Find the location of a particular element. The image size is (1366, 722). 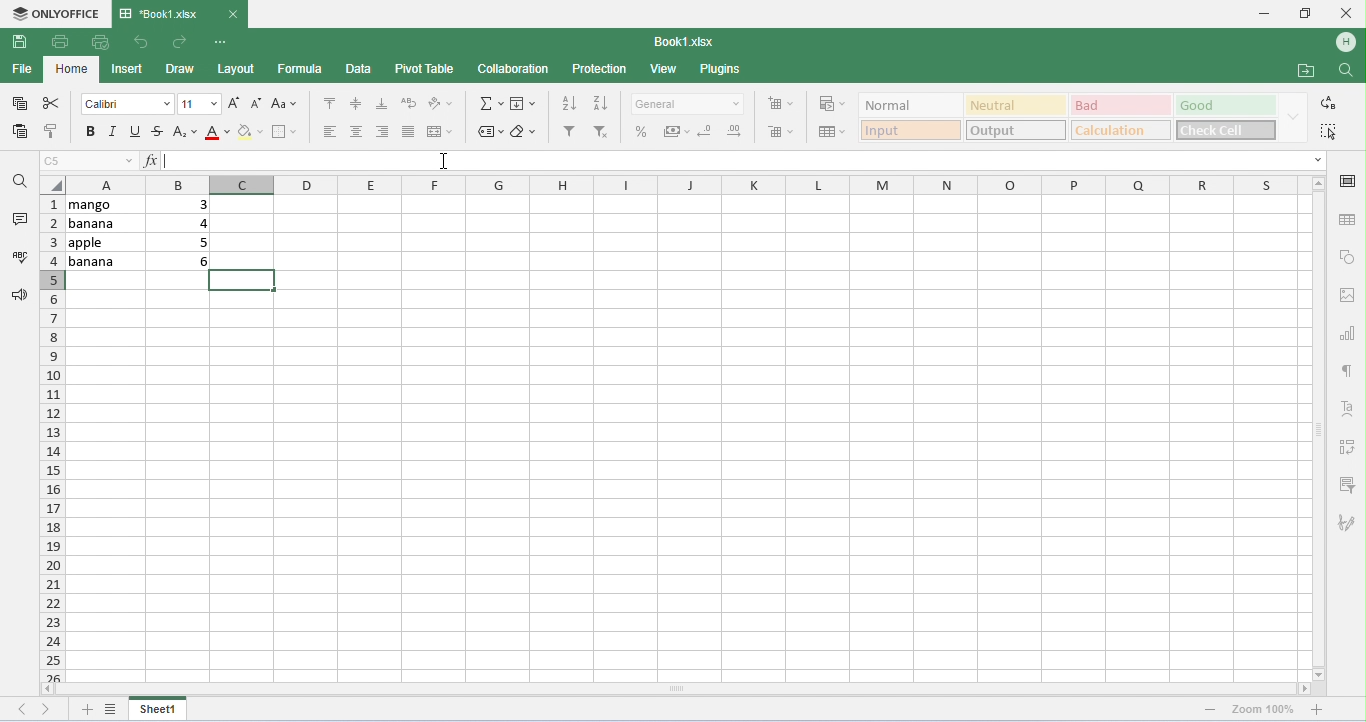

 is located at coordinates (20, 69).